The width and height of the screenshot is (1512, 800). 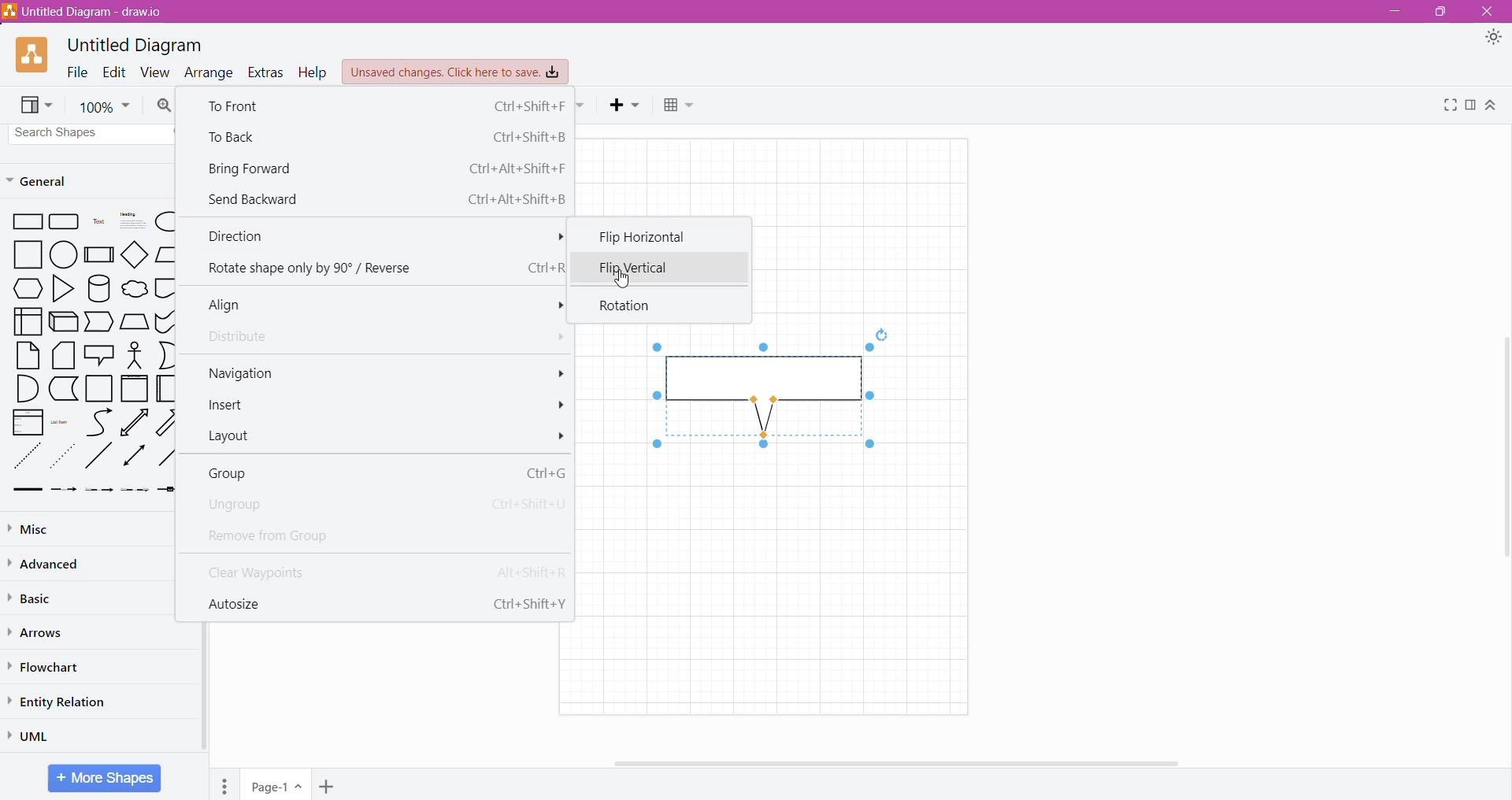 I want to click on frame, so click(x=135, y=388).